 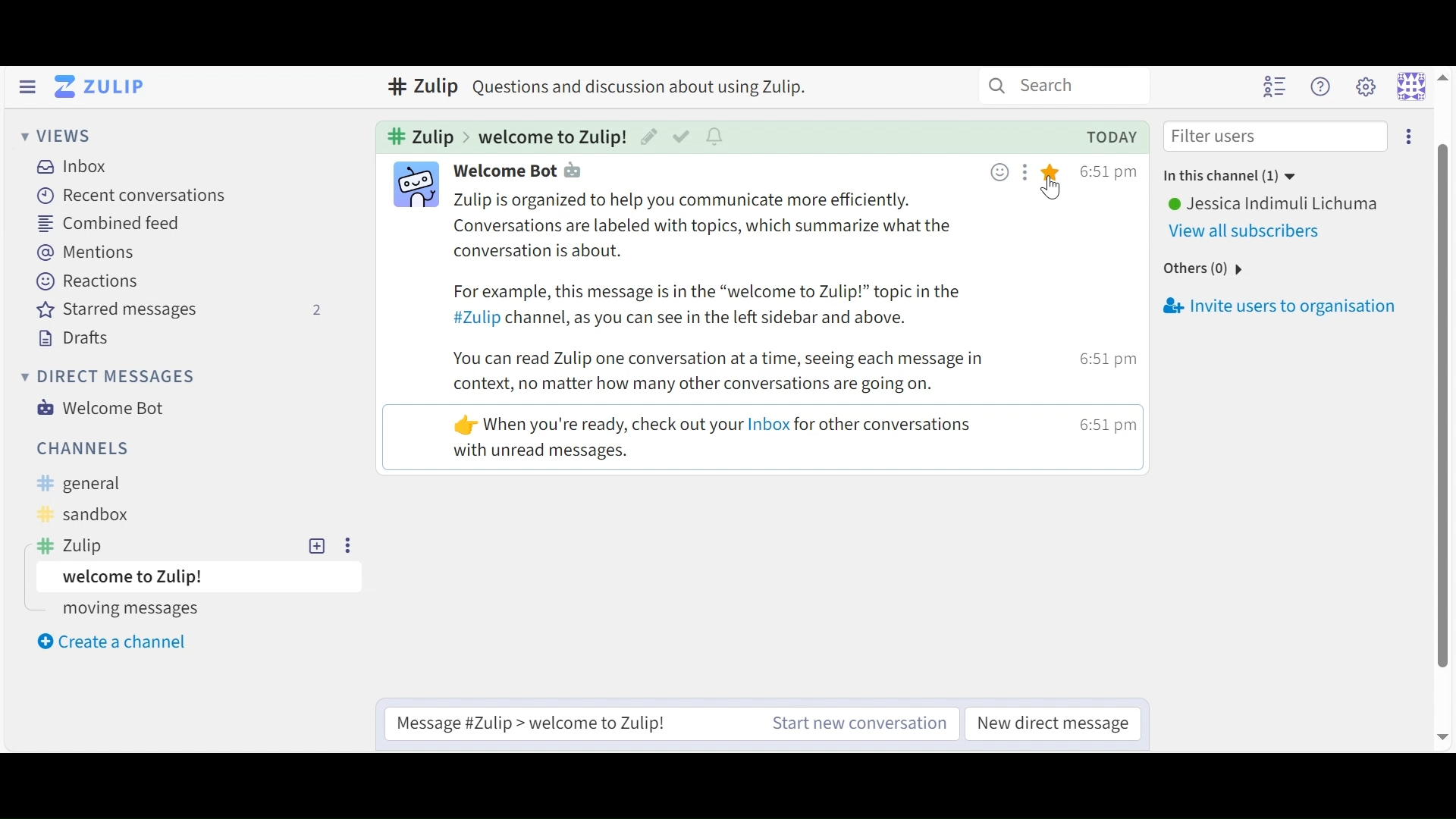 What do you see at coordinates (89, 515) in the screenshot?
I see `Sandbox` at bounding box center [89, 515].